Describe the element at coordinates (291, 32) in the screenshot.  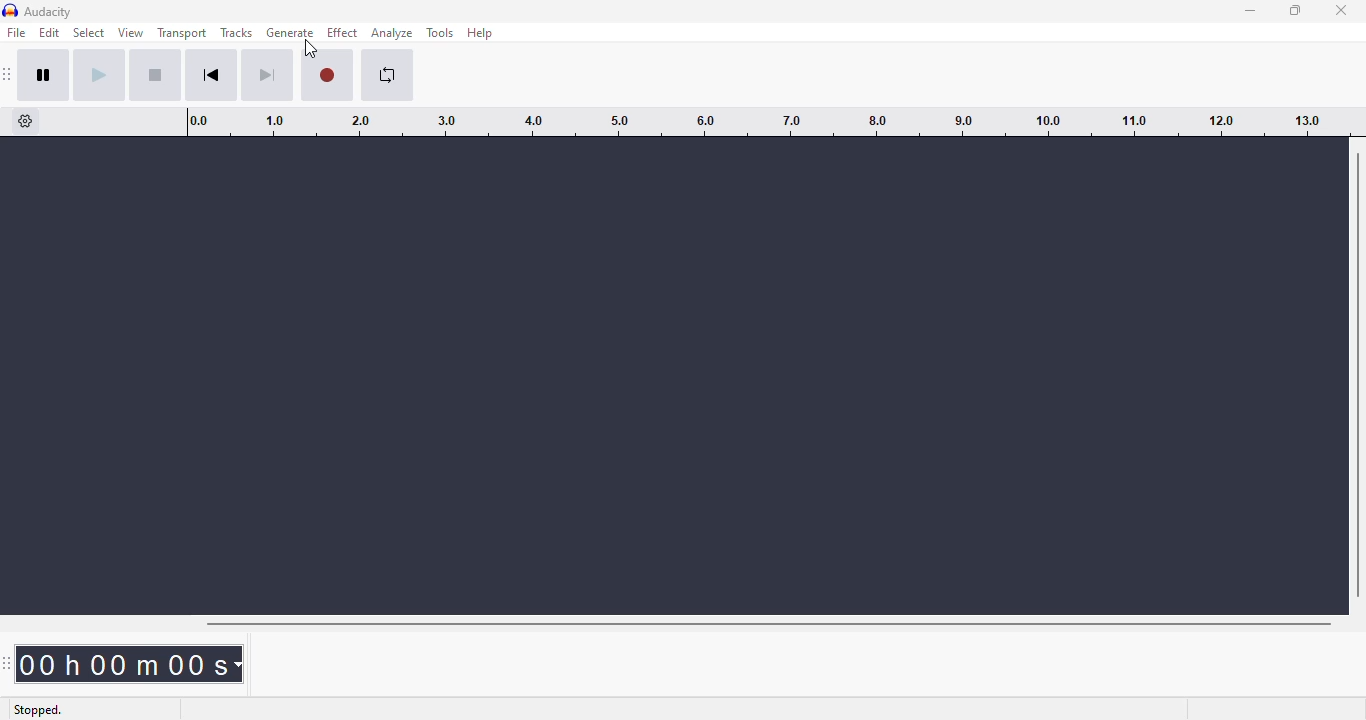
I see `generate` at that location.